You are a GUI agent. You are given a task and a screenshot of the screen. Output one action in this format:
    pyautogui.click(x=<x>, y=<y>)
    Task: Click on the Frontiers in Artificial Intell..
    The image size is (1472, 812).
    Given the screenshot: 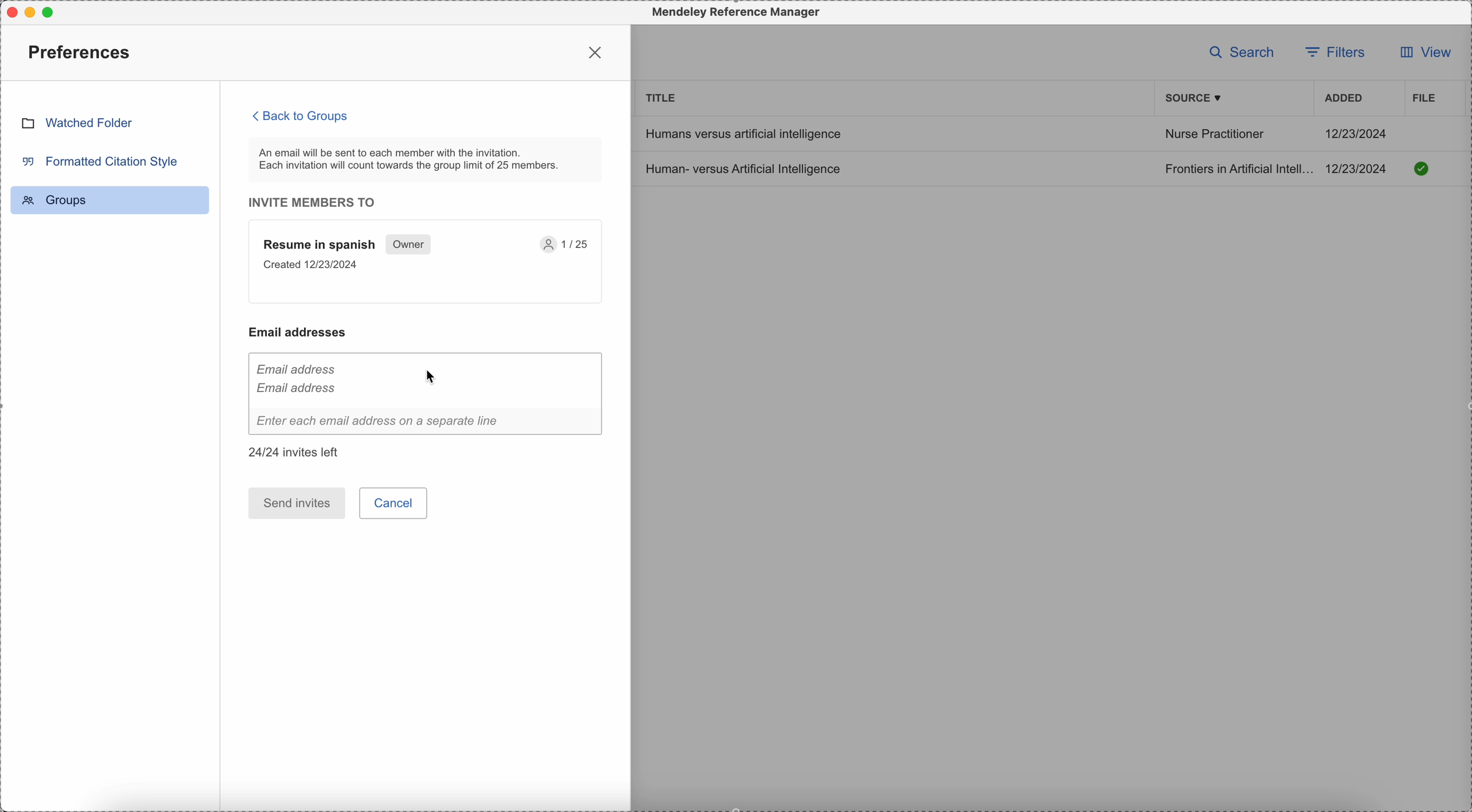 What is the action you would take?
    pyautogui.click(x=1237, y=168)
    